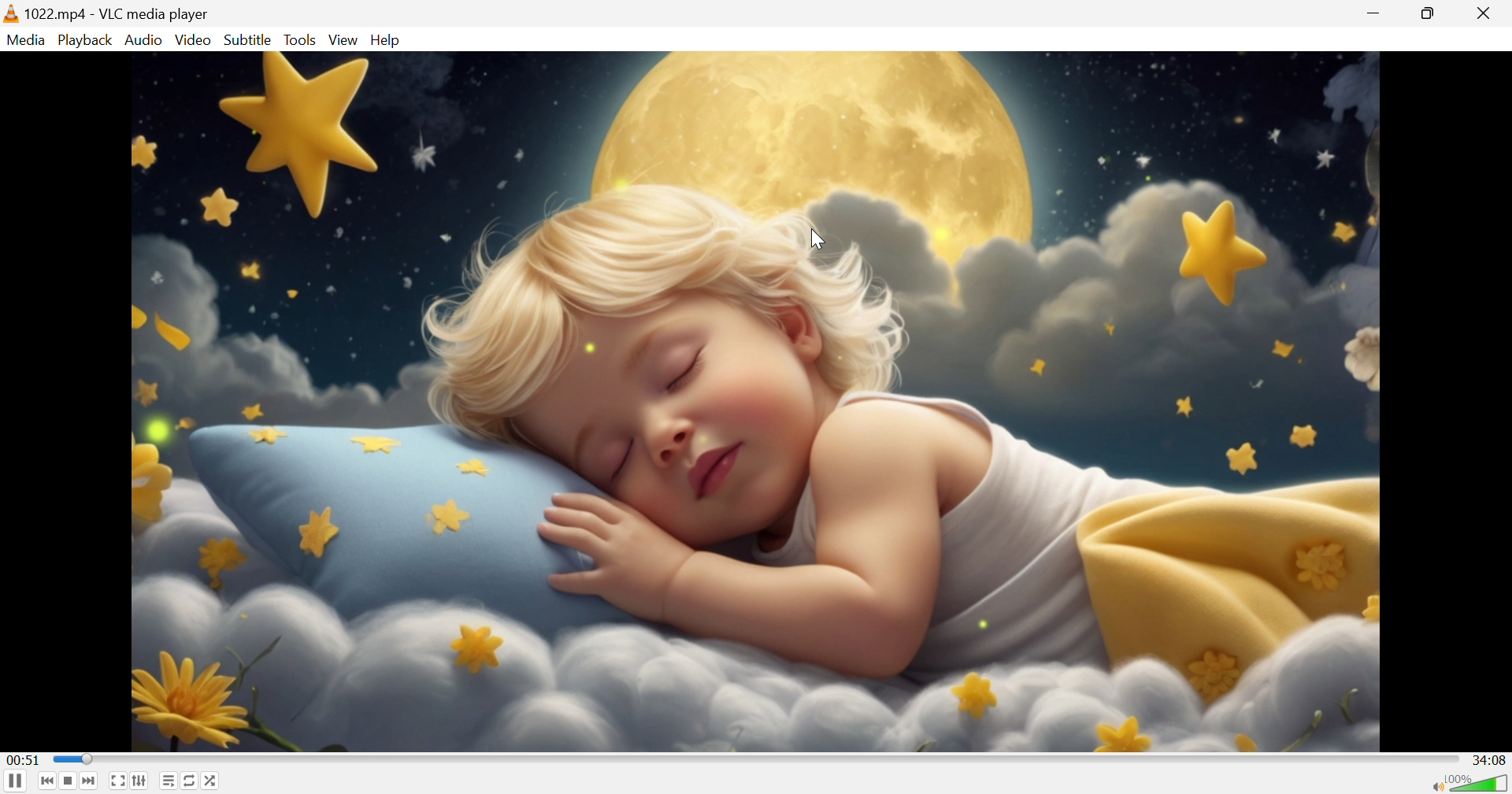 The image size is (1512, 794). What do you see at coordinates (1490, 13) in the screenshot?
I see `Close` at bounding box center [1490, 13].